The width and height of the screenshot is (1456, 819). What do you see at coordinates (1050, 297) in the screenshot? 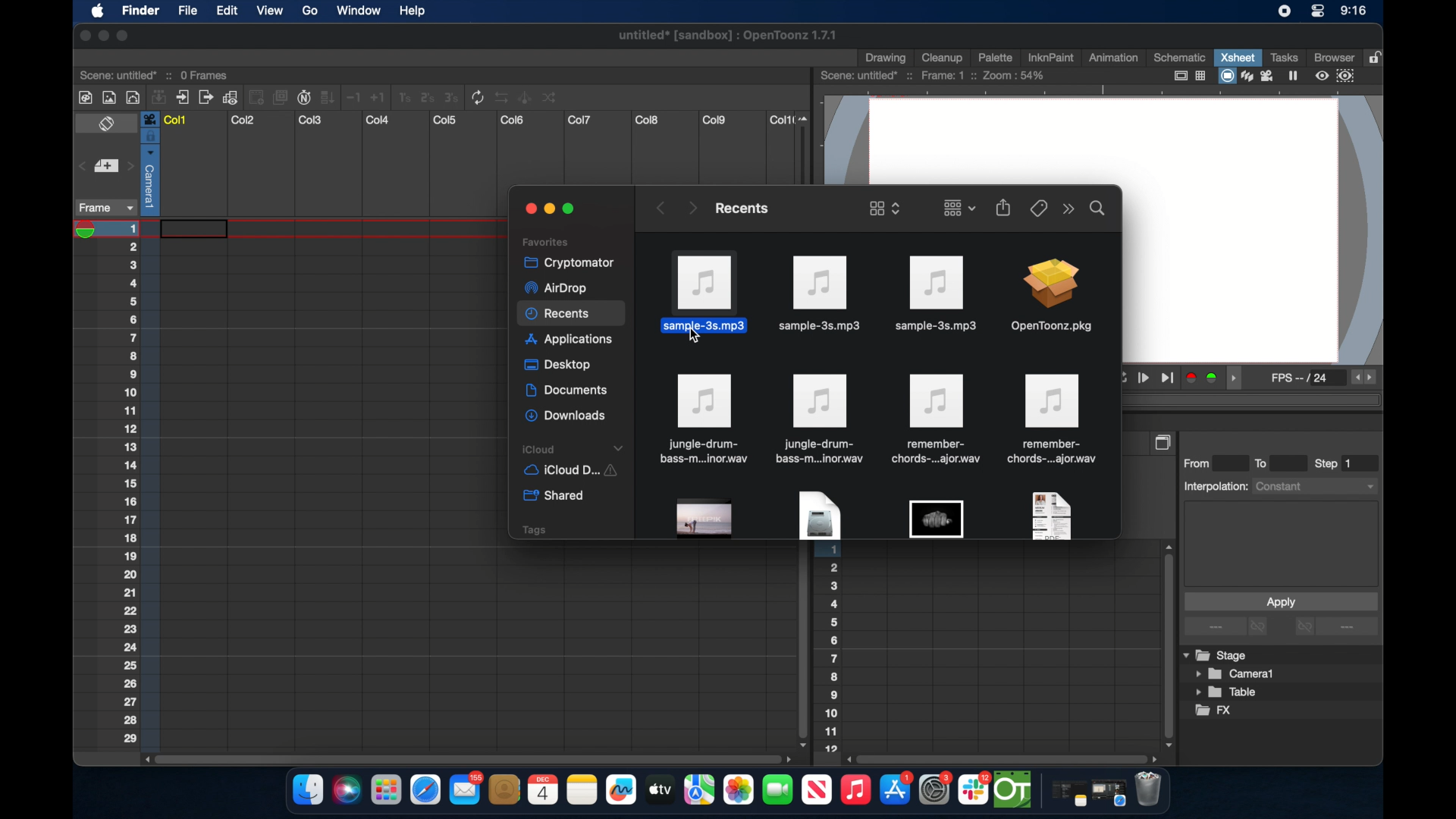
I see `package icon` at bounding box center [1050, 297].